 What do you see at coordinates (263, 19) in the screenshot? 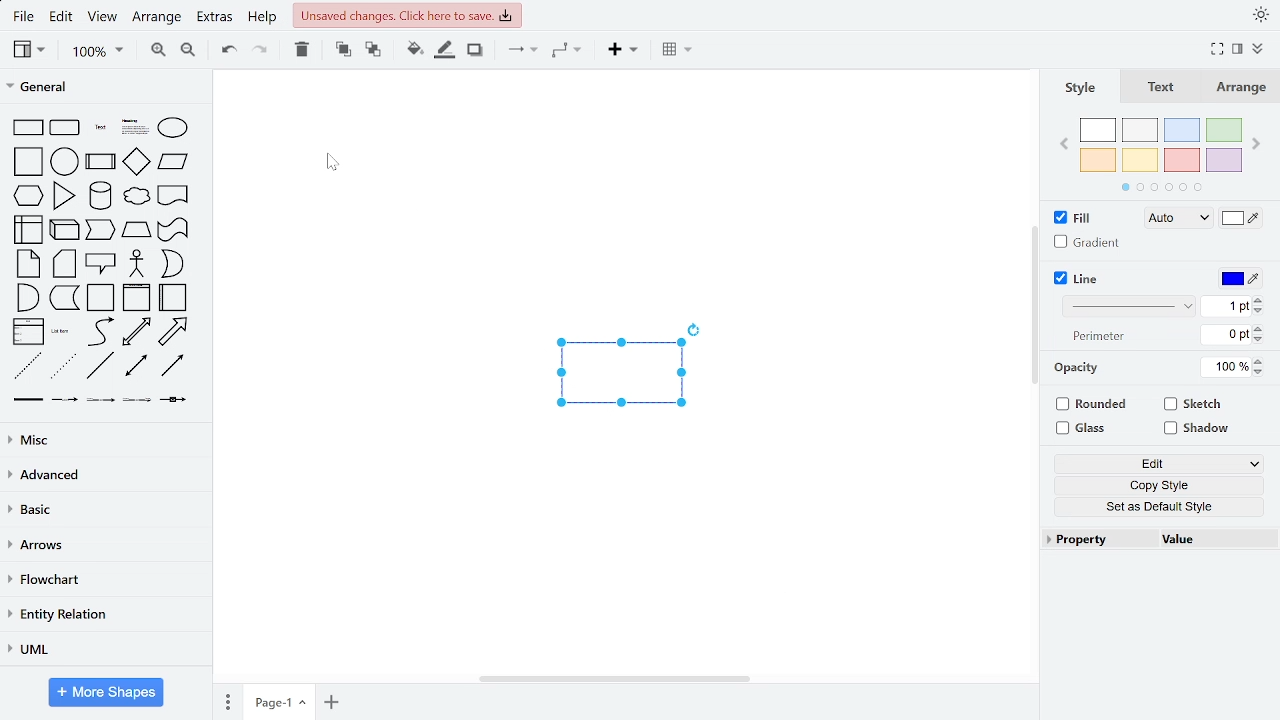
I see `help` at bounding box center [263, 19].